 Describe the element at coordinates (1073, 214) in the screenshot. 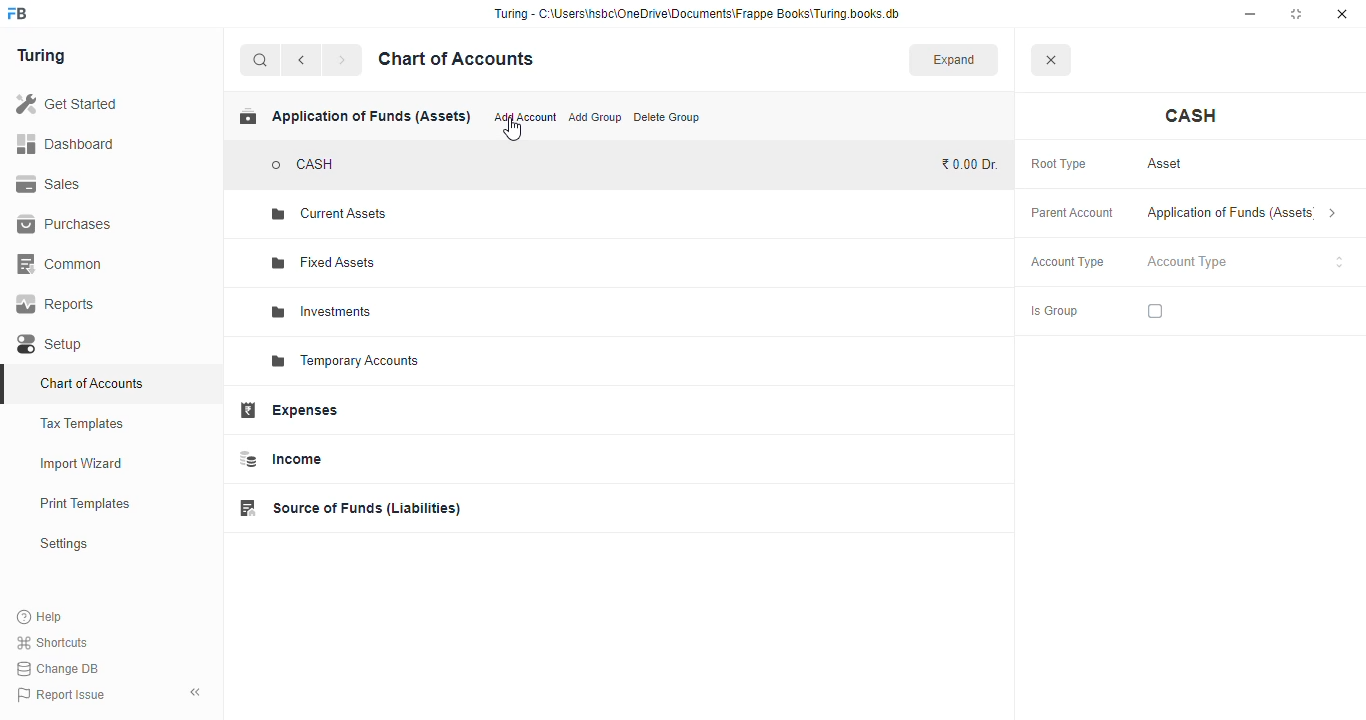

I see `parent account` at that location.